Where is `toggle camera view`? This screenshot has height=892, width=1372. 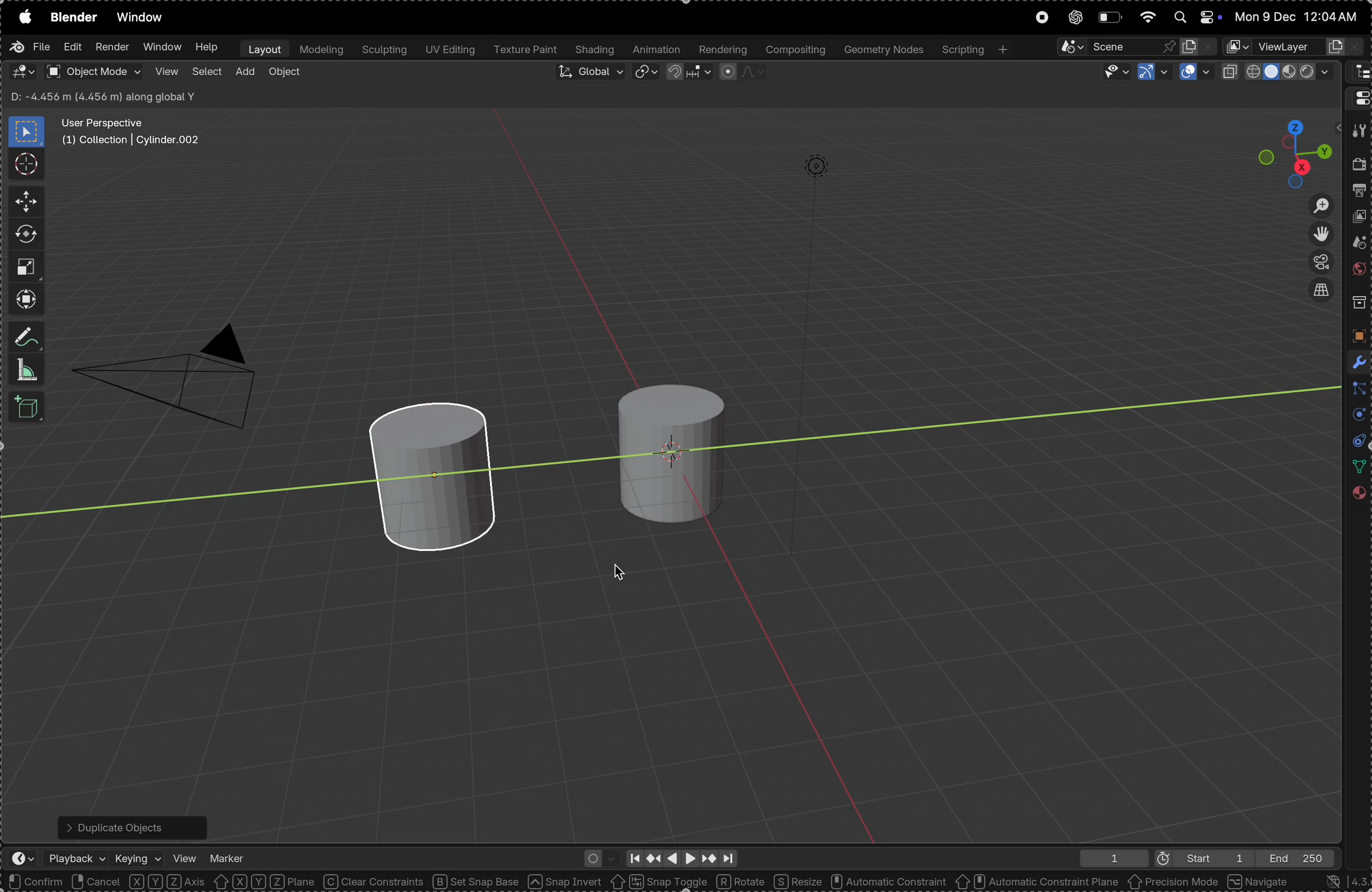 toggle camera view is located at coordinates (1317, 263).